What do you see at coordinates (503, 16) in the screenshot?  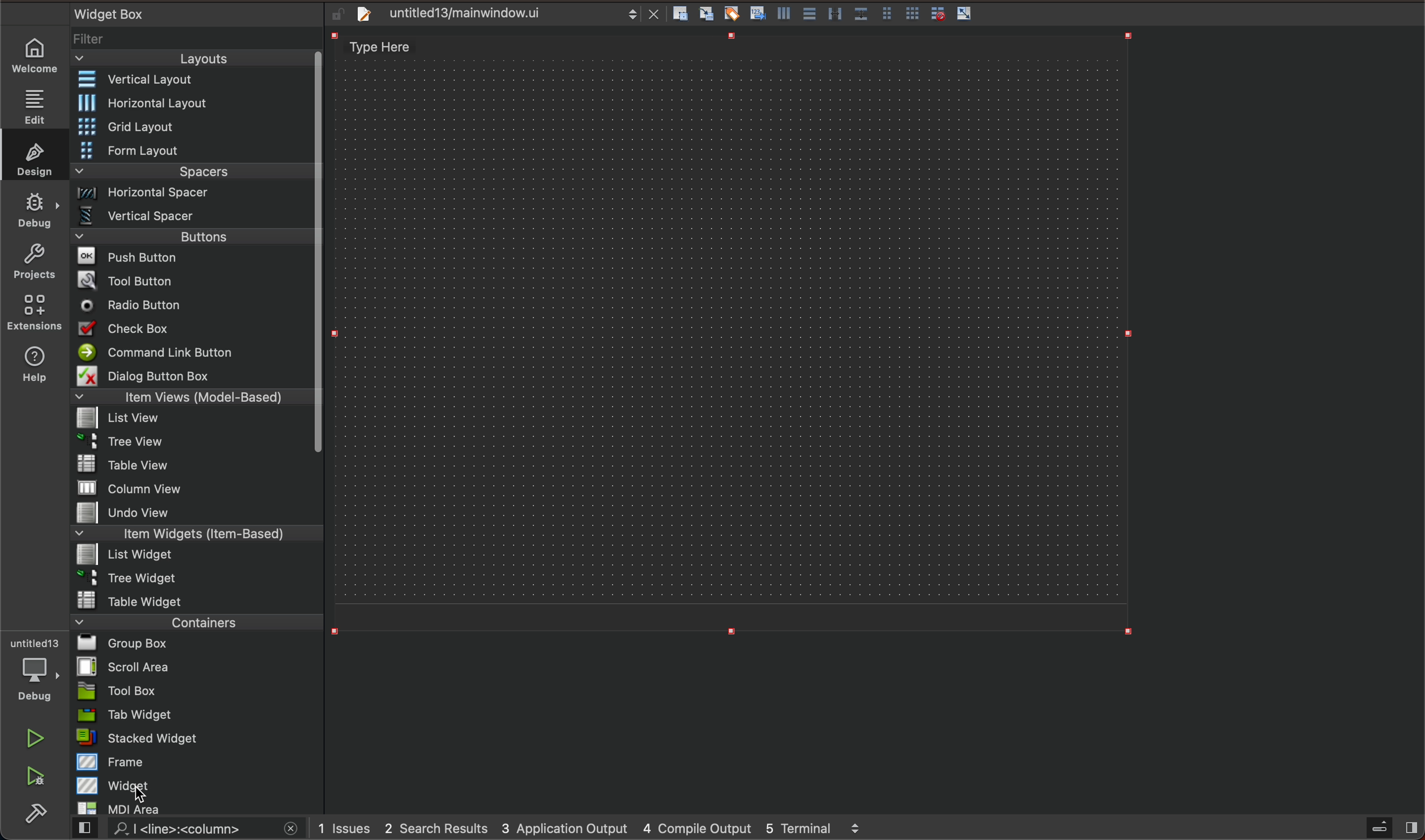 I see `file tab` at bounding box center [503, 16].